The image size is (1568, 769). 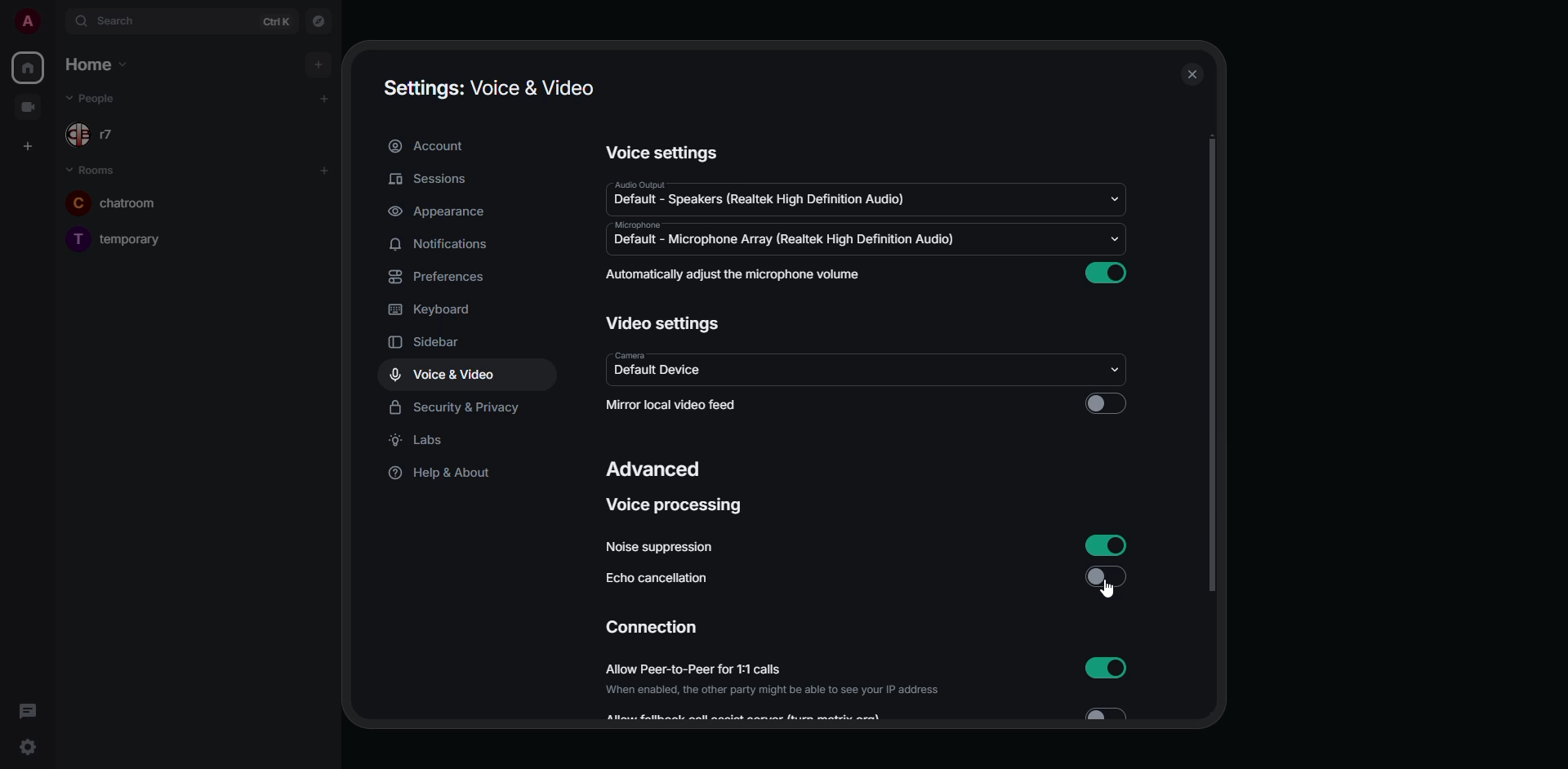 I want to click on threads, so click(x=28, y=710).